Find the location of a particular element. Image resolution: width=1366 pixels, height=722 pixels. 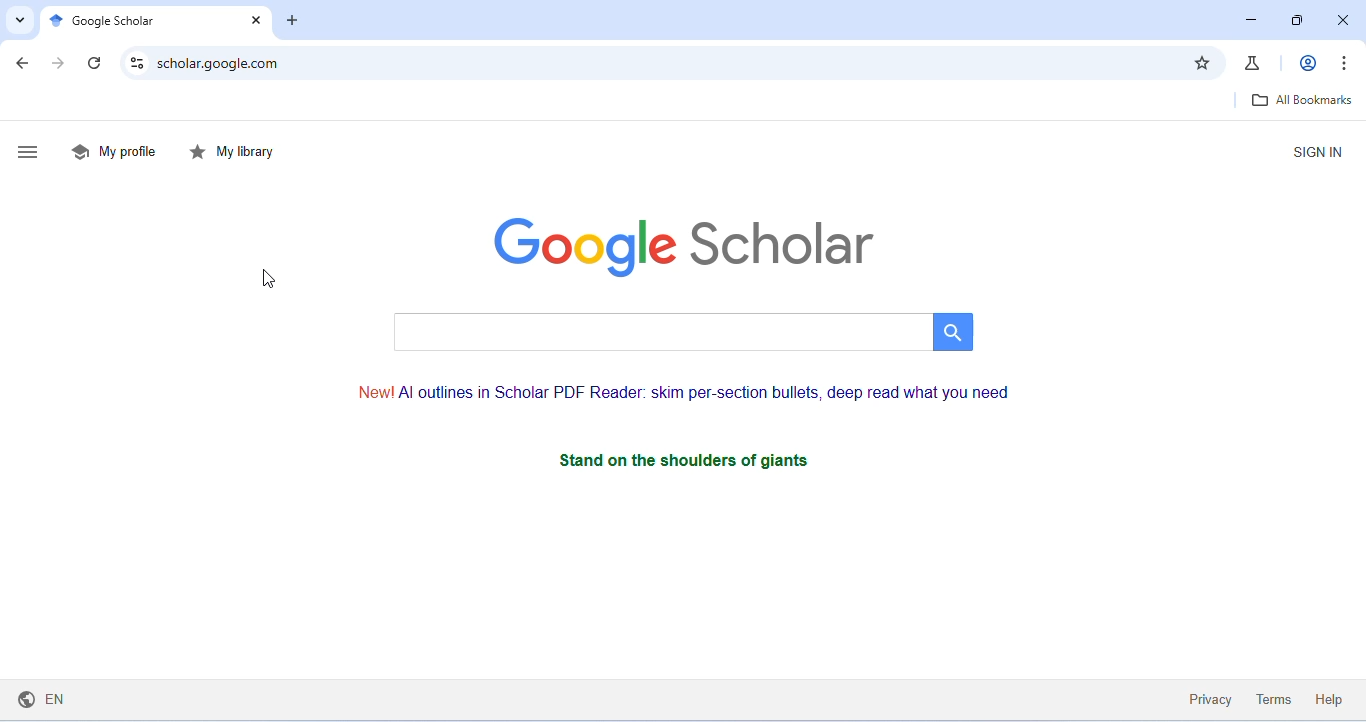

chrome labs is located at coordinates (1255, 62).